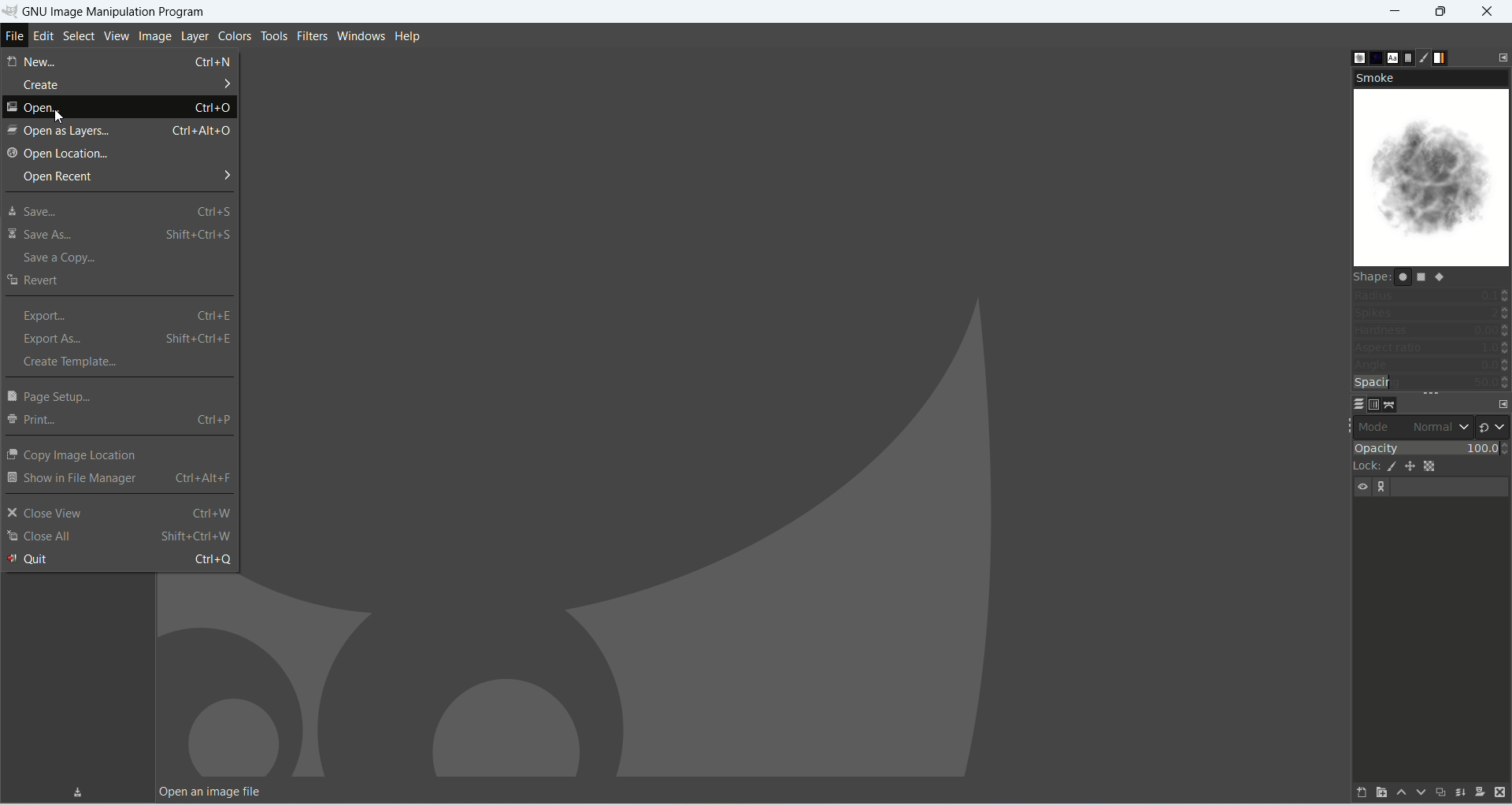 The image size is (1512, 805). What do you see at coordinates (311, 35) in the screenshot?
I see `Filters` at bounding box center [311, 35].